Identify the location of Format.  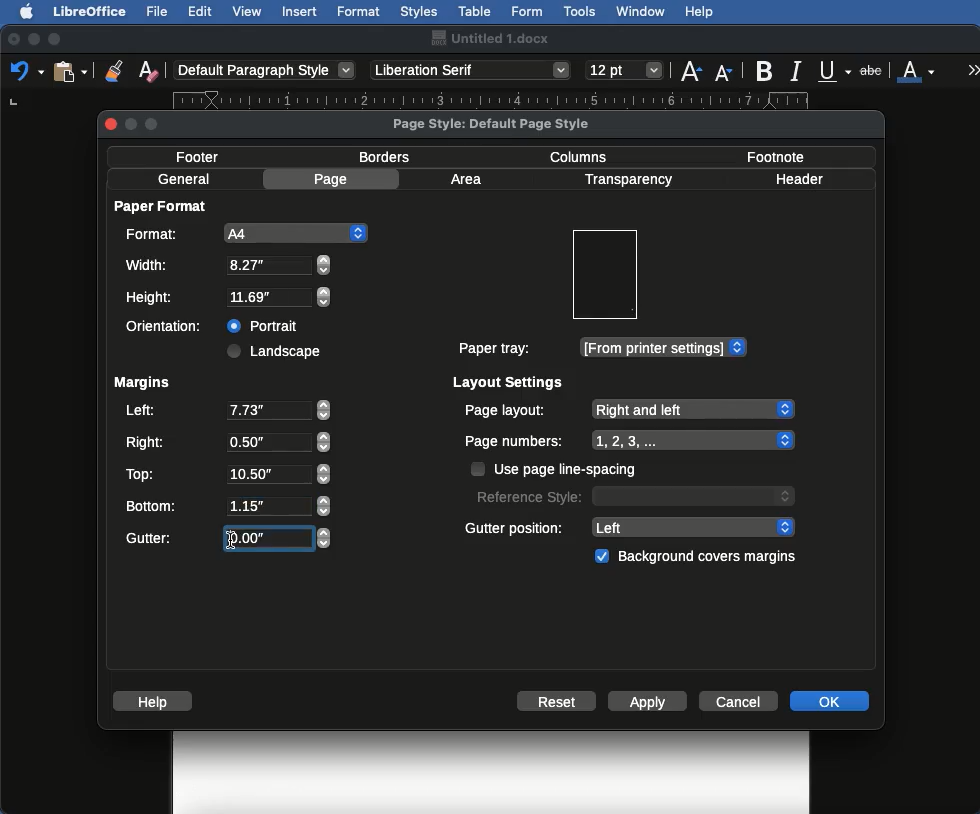
(360, 12).